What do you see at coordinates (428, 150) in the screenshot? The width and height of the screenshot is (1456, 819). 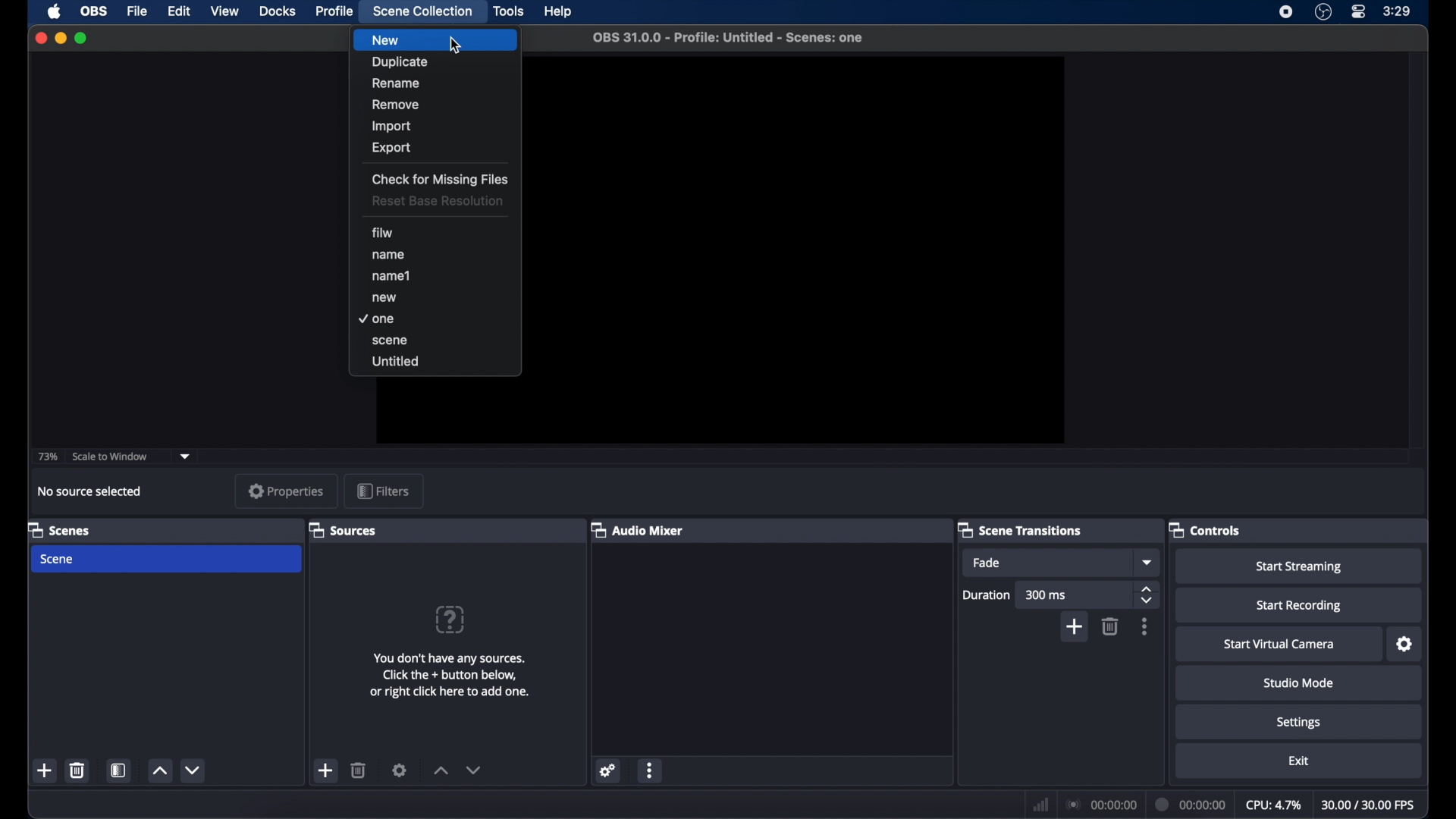 I see `Export` at bounding box center [428, 150].